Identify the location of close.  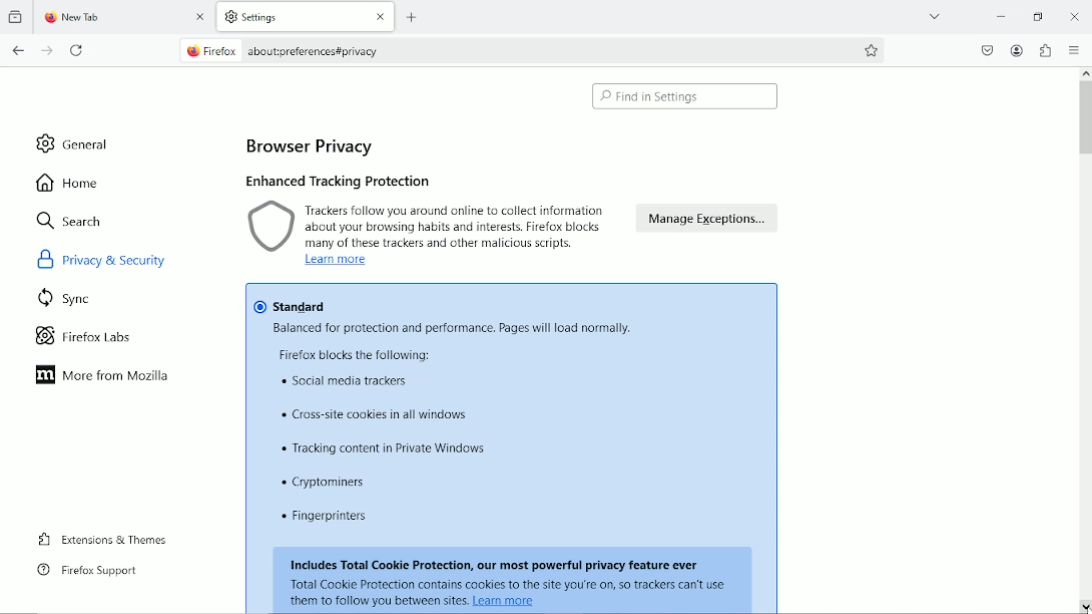
(202, 19).